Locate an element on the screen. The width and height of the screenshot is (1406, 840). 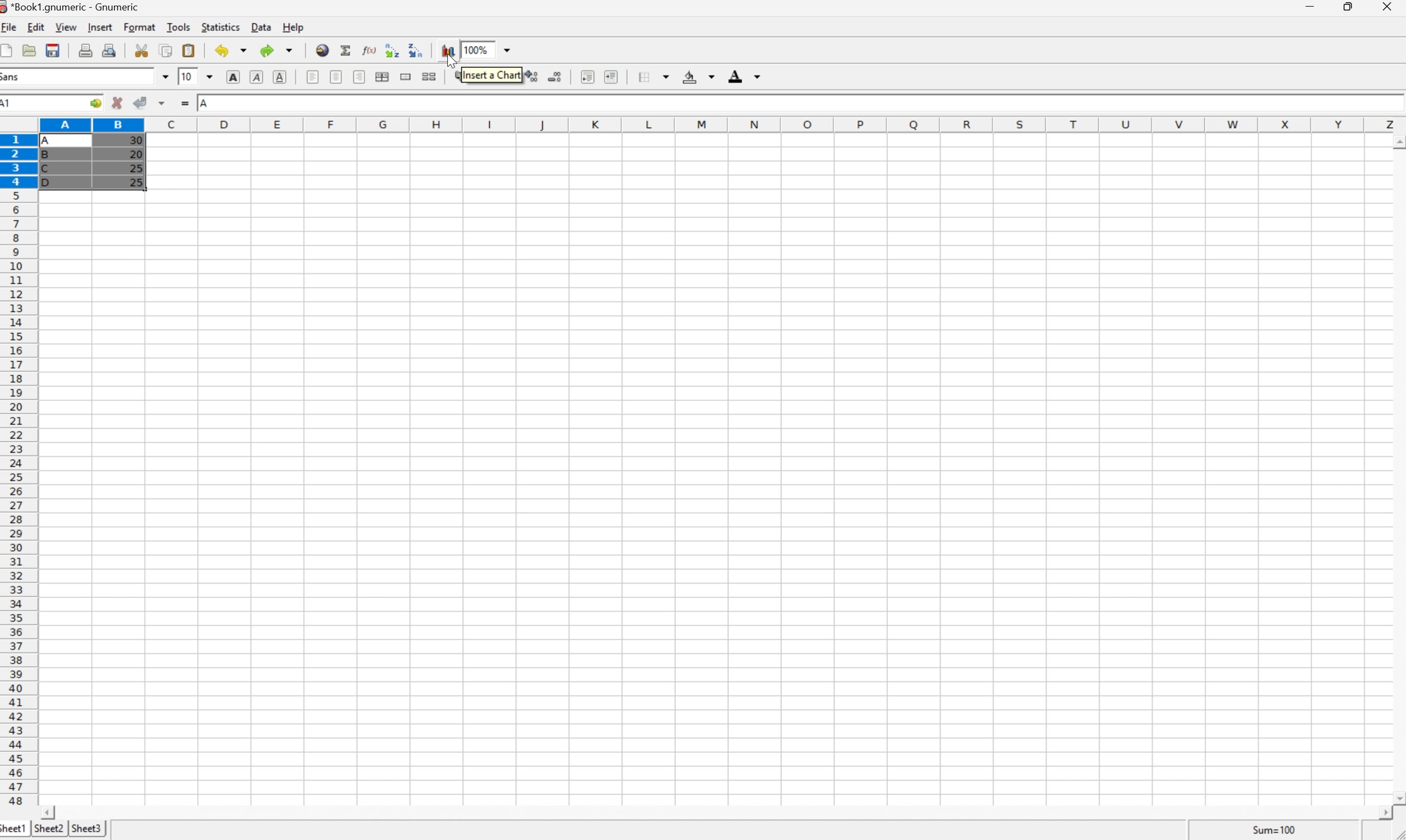
Scroll Up is located at coordinates (1397, 140).